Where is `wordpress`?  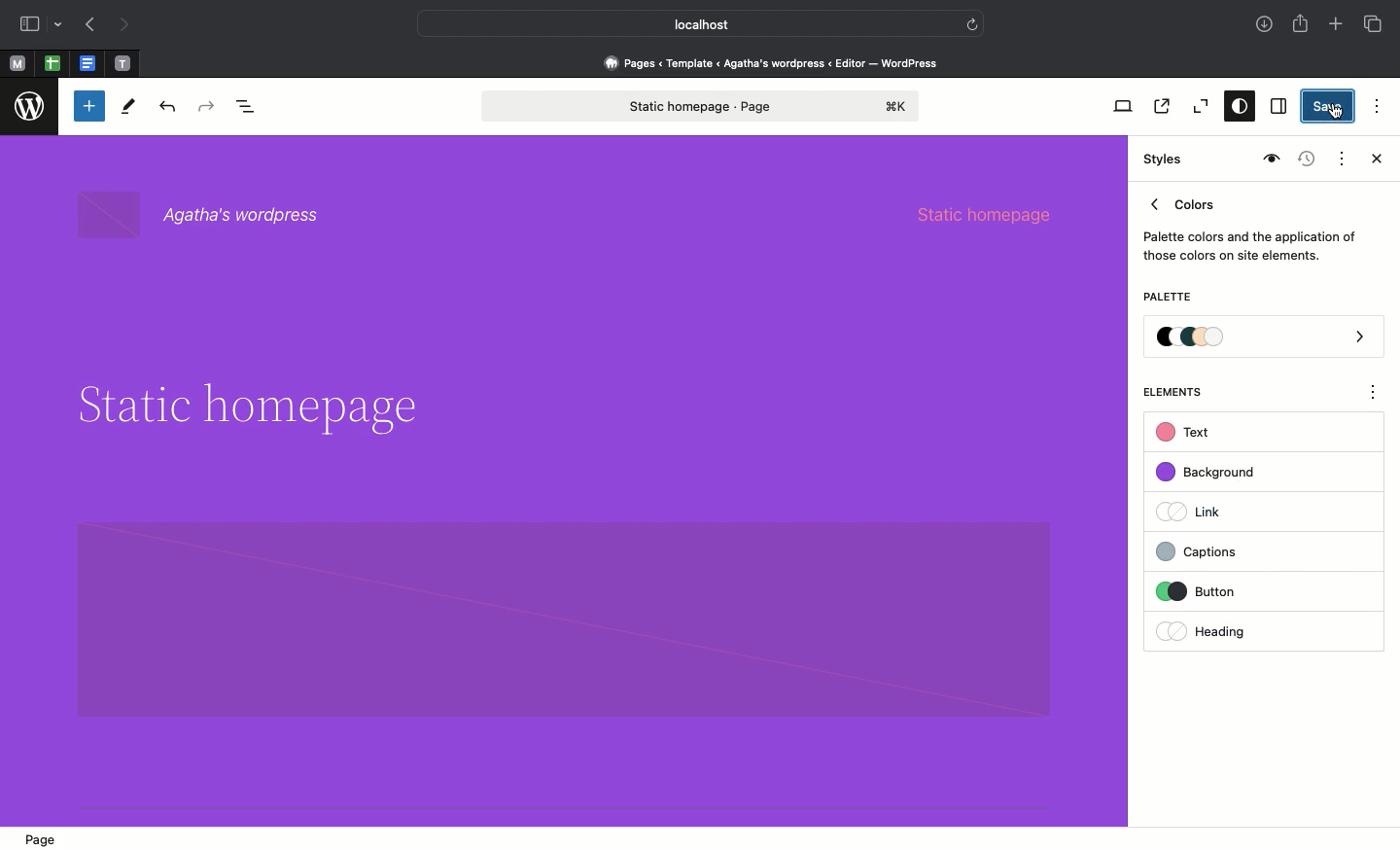
wordpress is located at coordinates (30, 107).